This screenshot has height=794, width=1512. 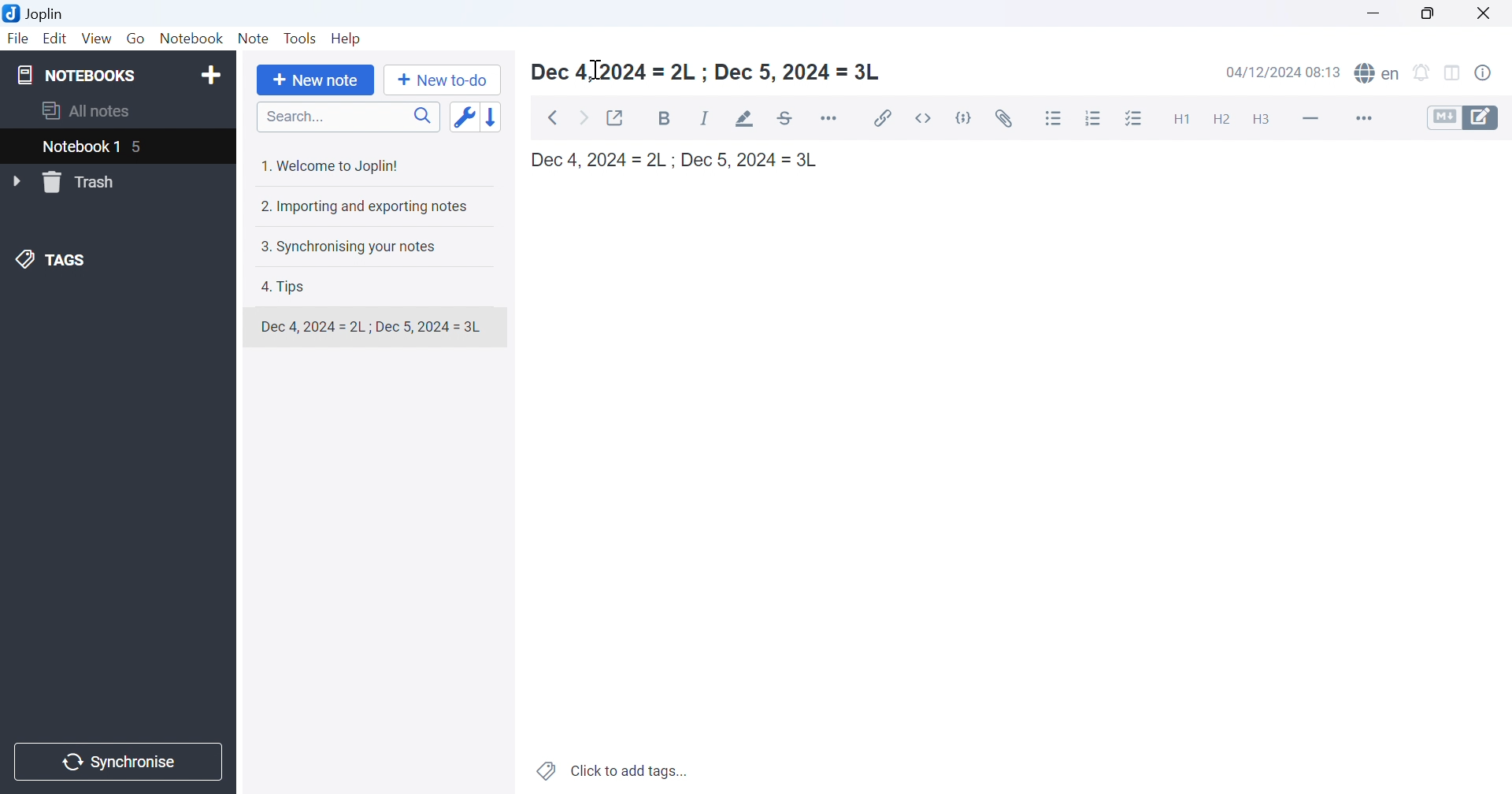 What do you see at coordinates (254, 39) in the screenshot?
I see `Note` at bounding box center [254, 39].